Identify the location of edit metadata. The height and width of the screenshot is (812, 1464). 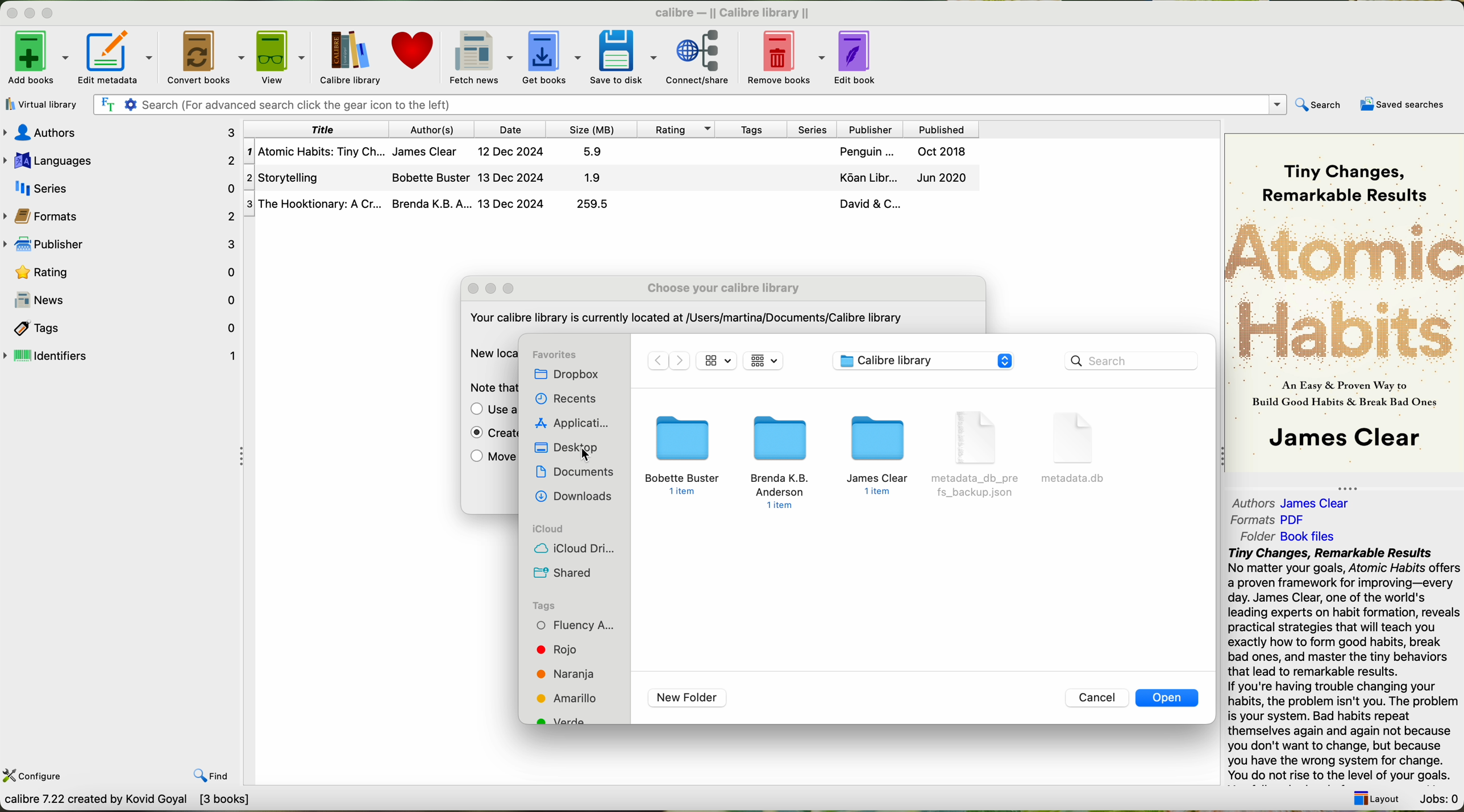
(120, 57).